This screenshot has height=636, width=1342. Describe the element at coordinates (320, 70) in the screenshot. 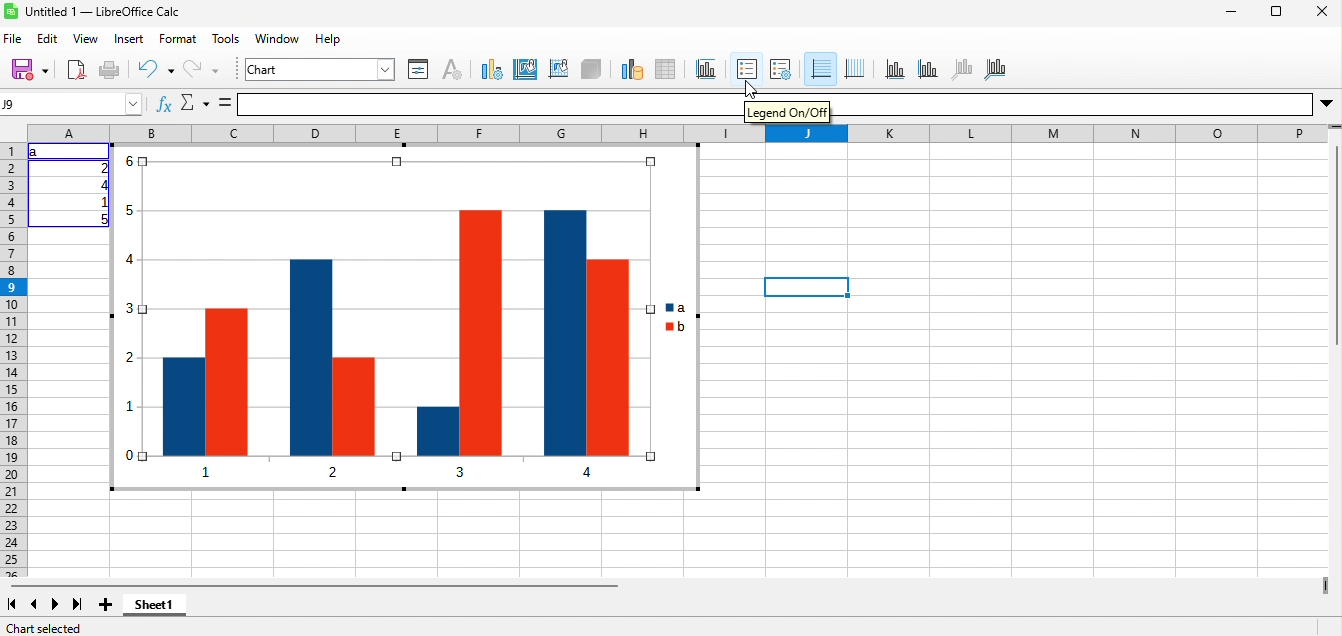

I see `chart element` at that location.